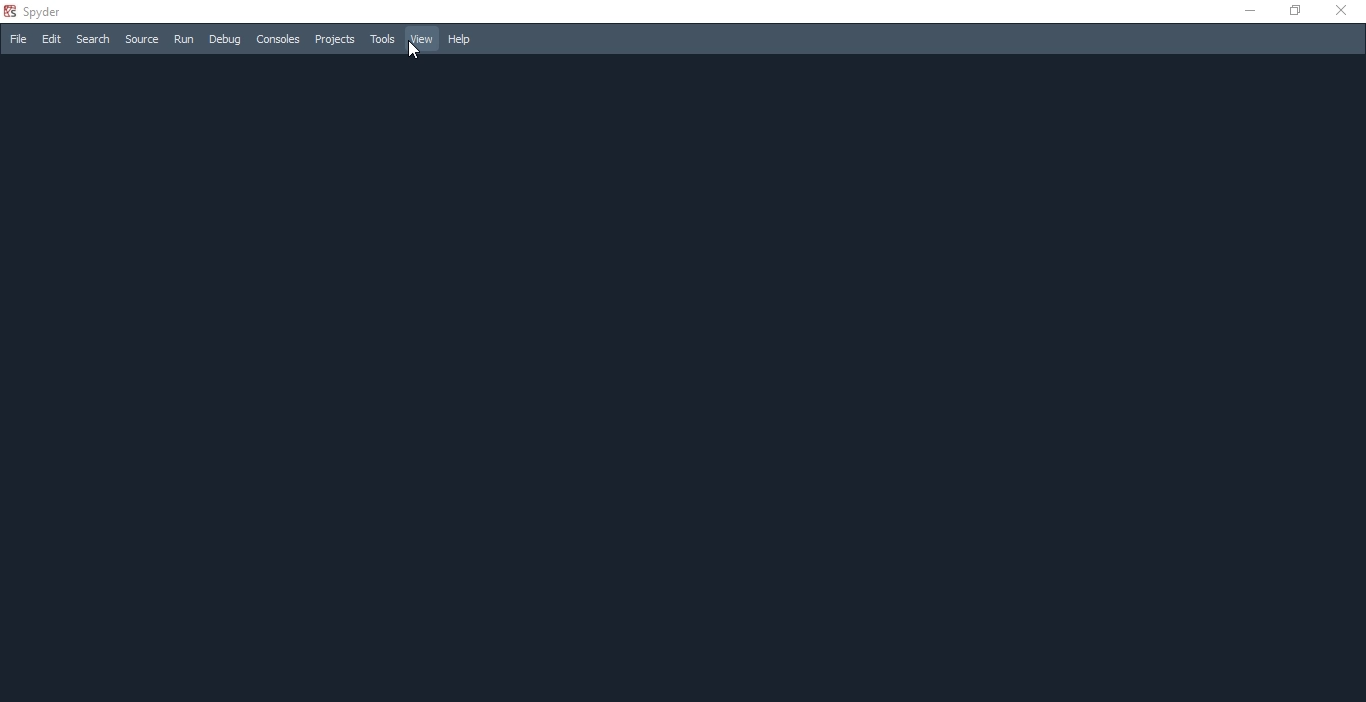  I want to click on Help, so click(465, 41).